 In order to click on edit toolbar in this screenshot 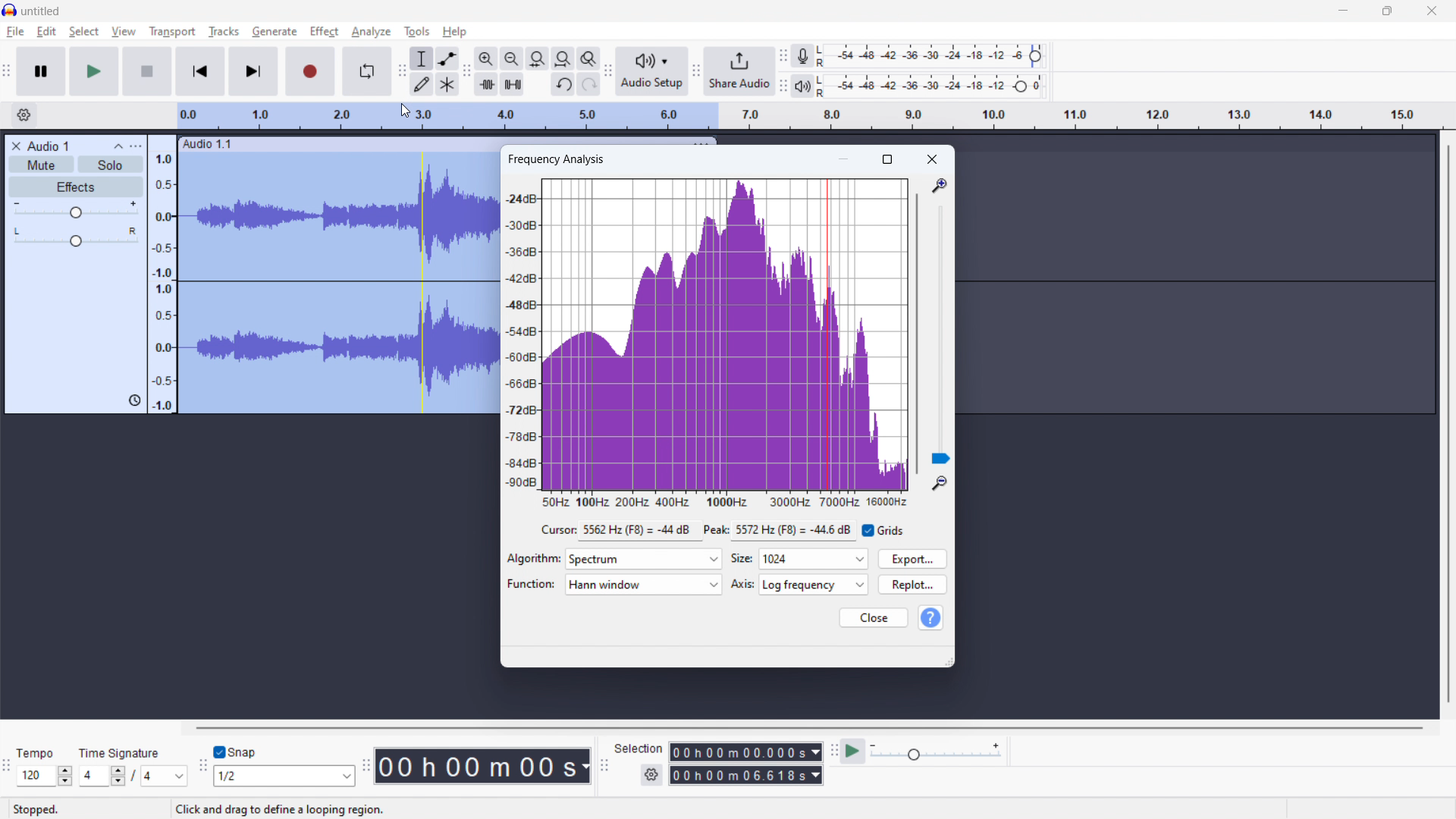, I will do `click(468, 72)`.